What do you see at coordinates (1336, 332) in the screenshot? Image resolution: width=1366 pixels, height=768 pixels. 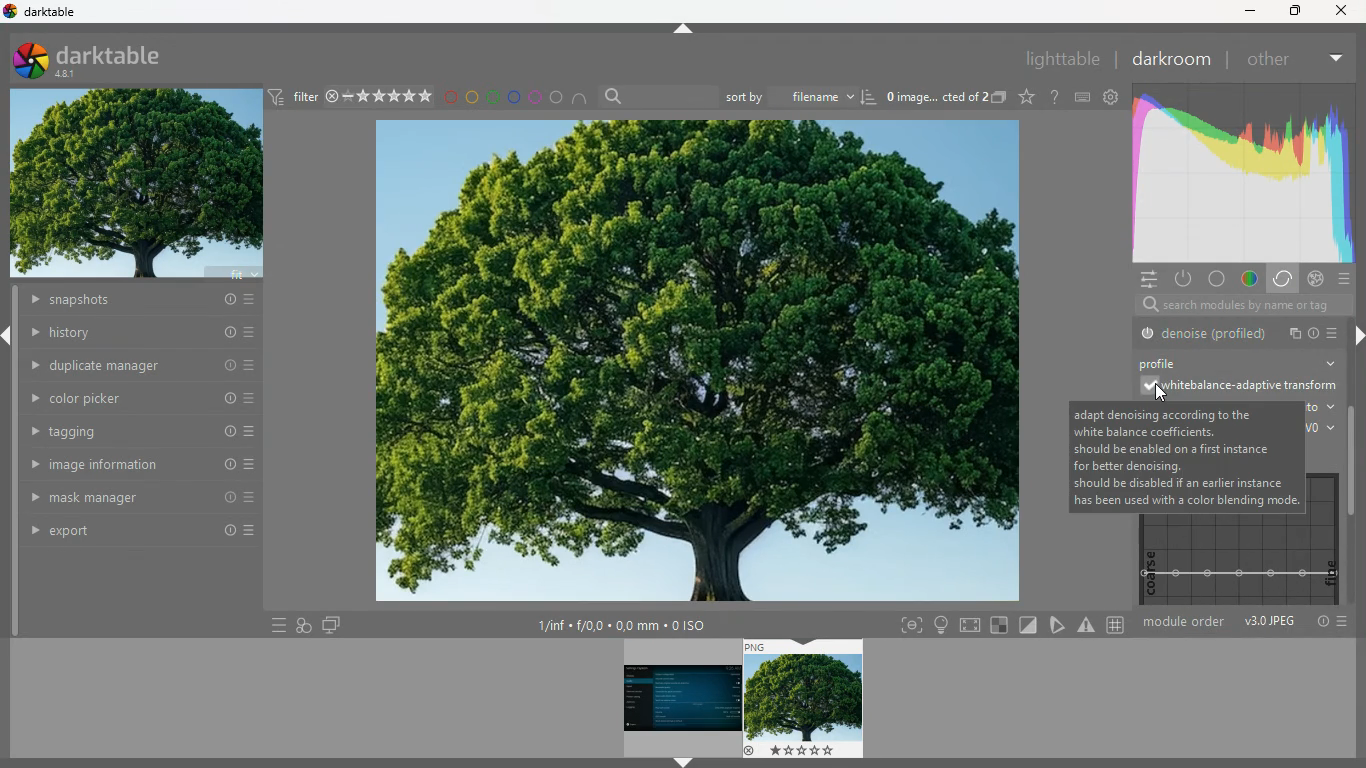 I see `more` at bounding box center [1336, 332].